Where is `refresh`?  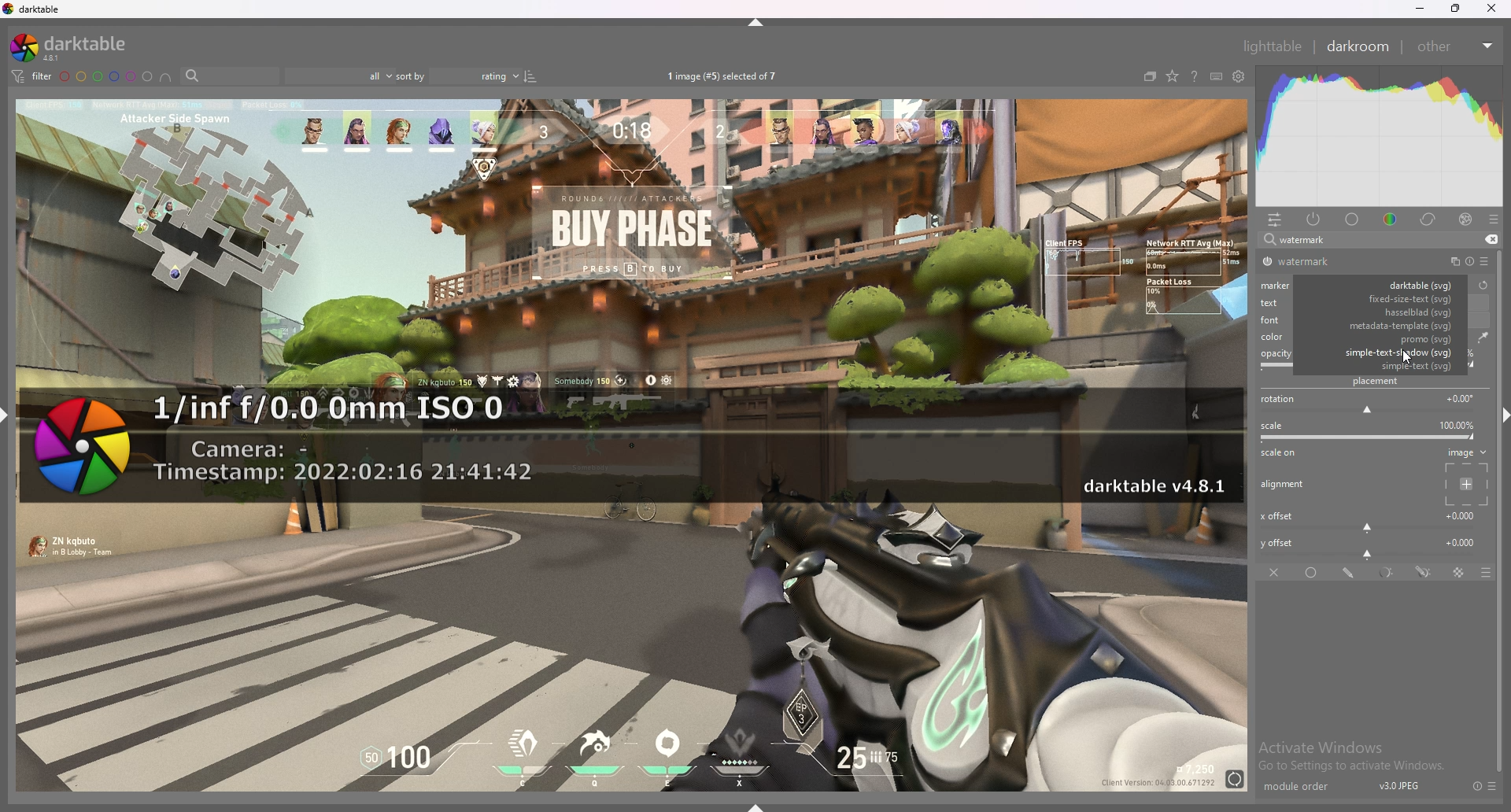 refresh is located at coordinates (1483, 285).